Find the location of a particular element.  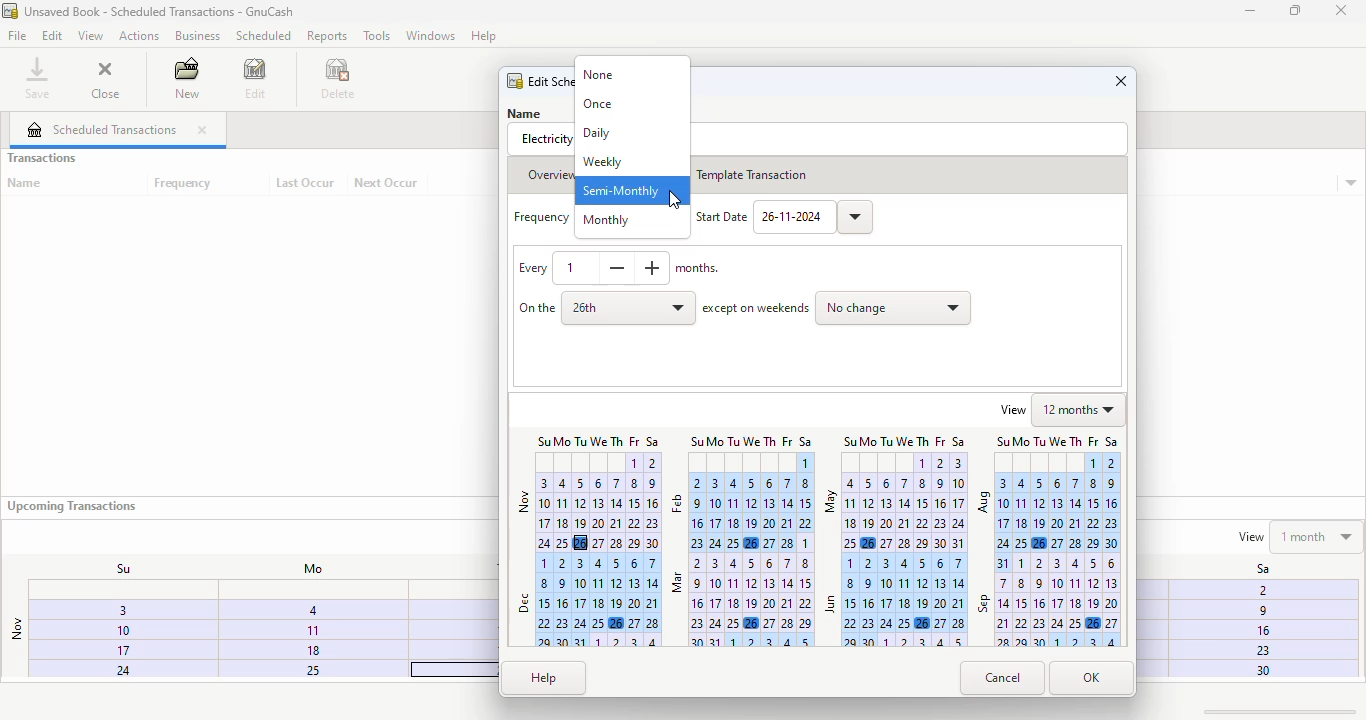

business is located at coordinates (197, 35).